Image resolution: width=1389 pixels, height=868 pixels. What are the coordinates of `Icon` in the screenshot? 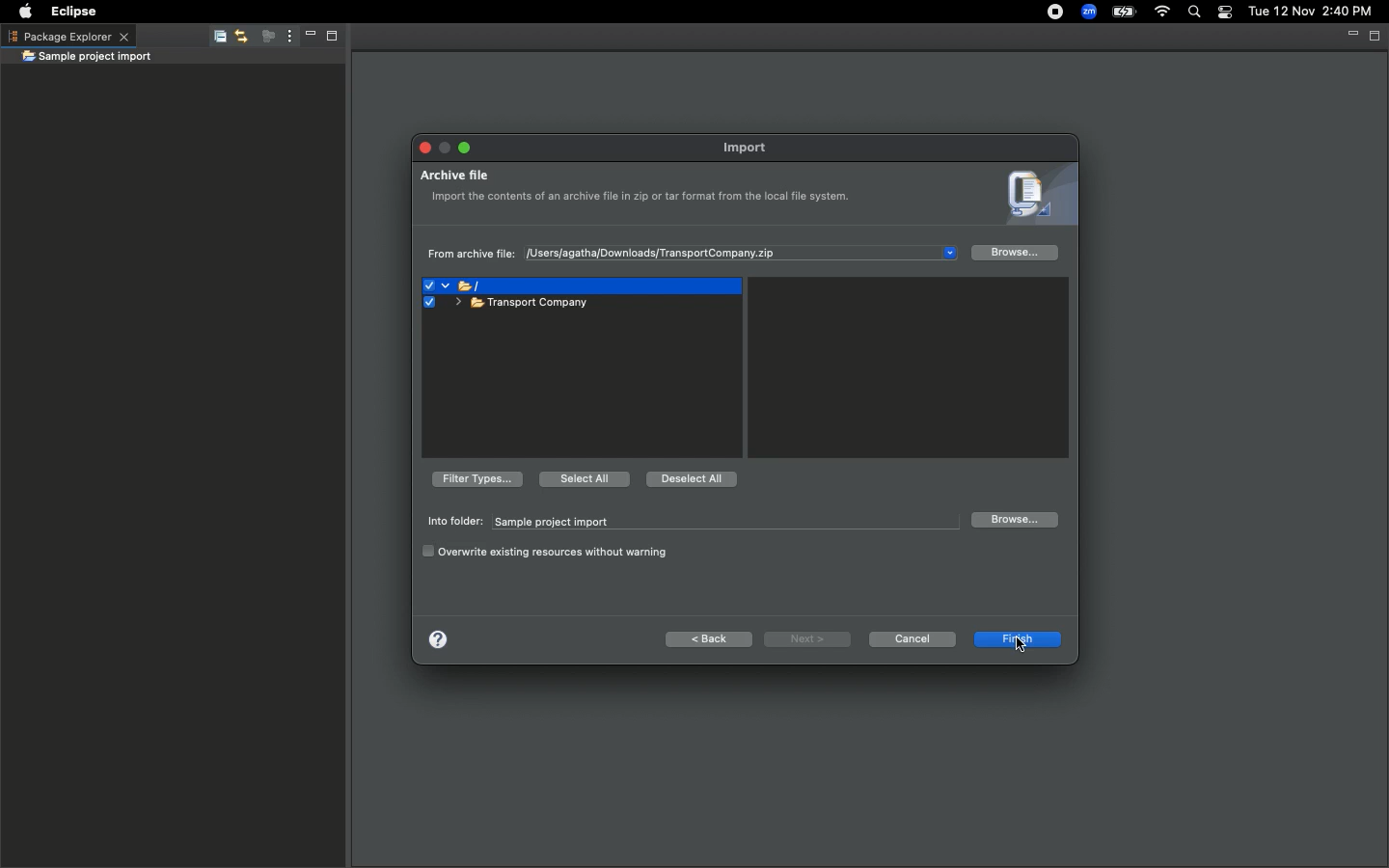 It's located at (1034, 197).